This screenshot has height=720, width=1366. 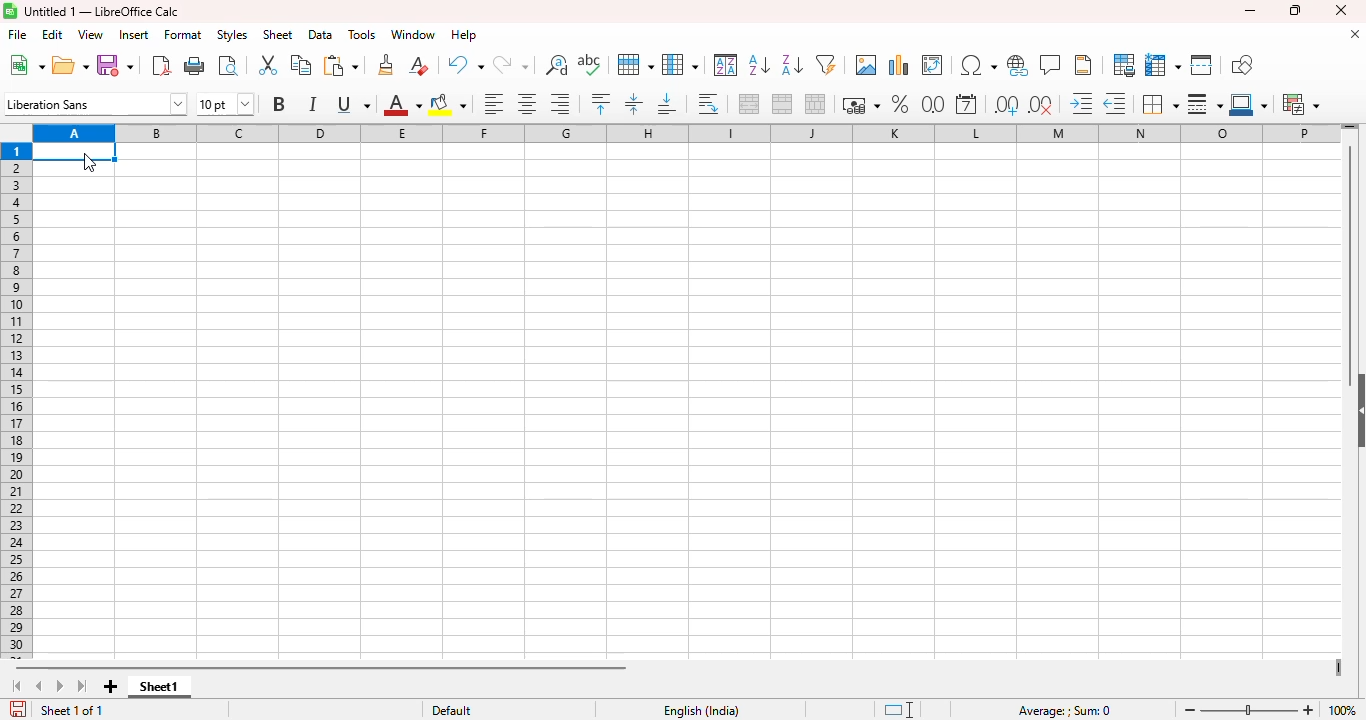 I want to click on align bottom, so click(x=668, y=103).